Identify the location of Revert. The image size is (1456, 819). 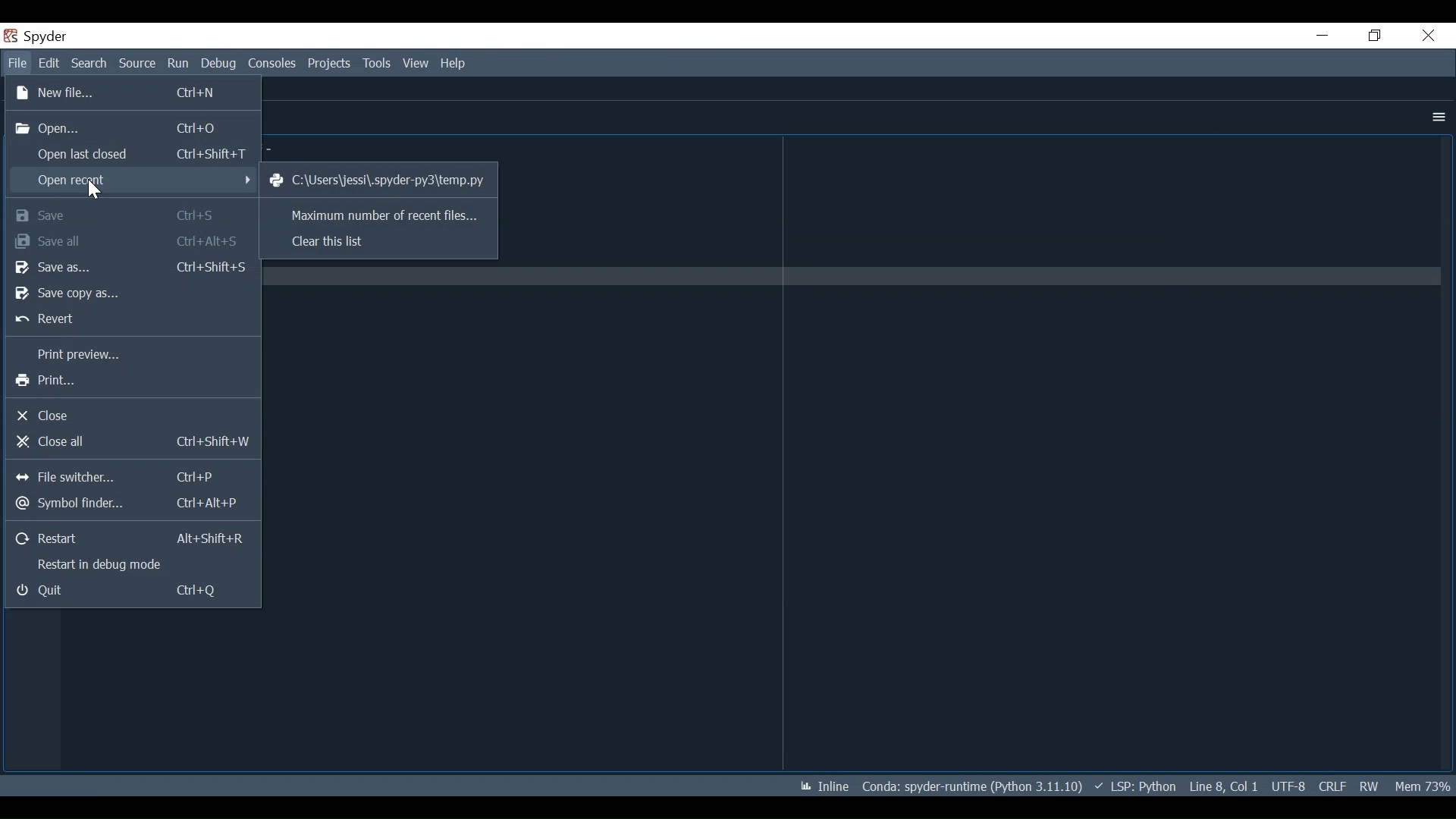
(130, 319).